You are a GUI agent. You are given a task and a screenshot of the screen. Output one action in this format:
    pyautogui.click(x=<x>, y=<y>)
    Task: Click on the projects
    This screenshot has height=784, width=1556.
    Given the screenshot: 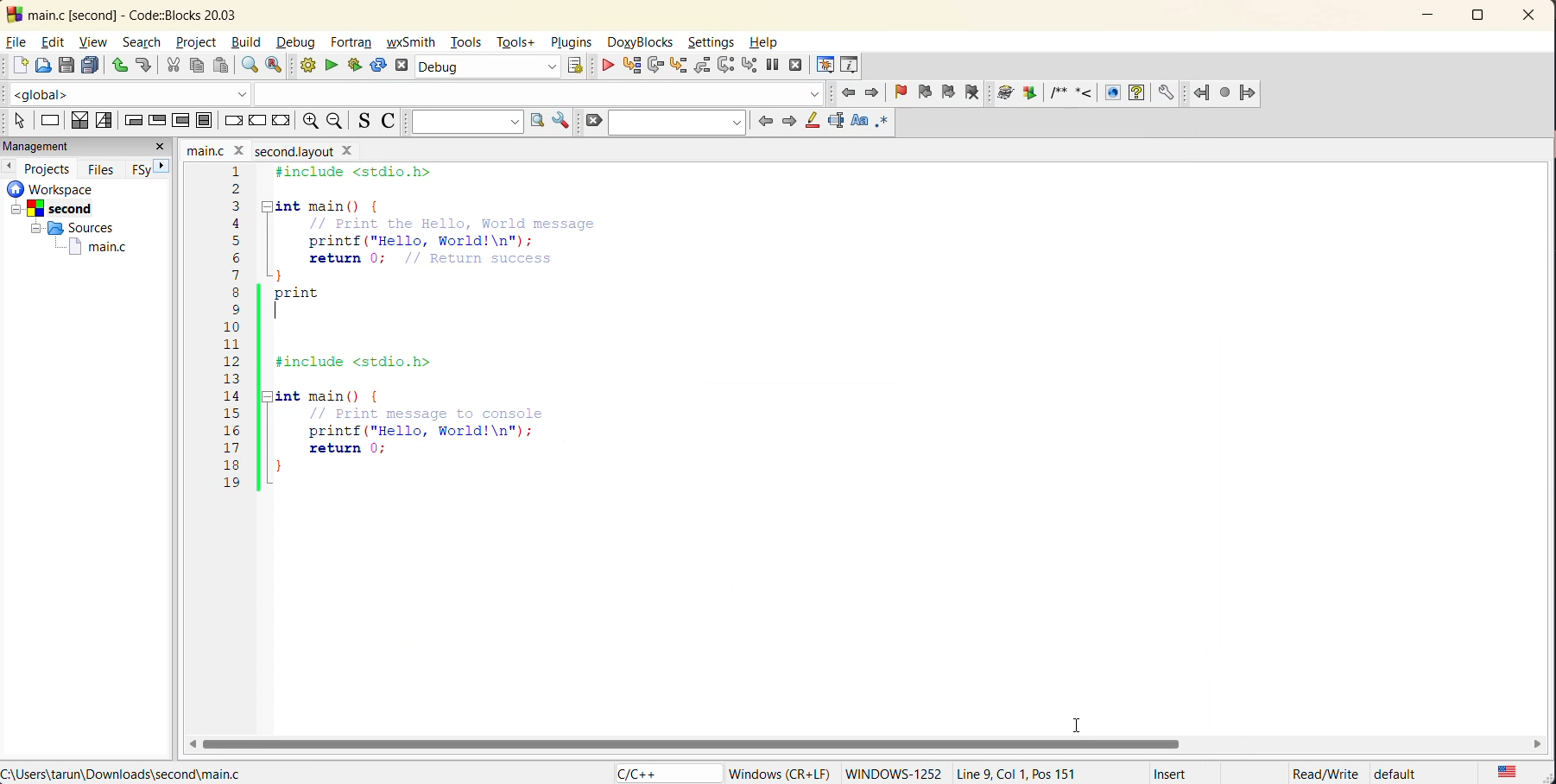 What is the action you would take?
    pyautogui.click(x=52, y=167)
    